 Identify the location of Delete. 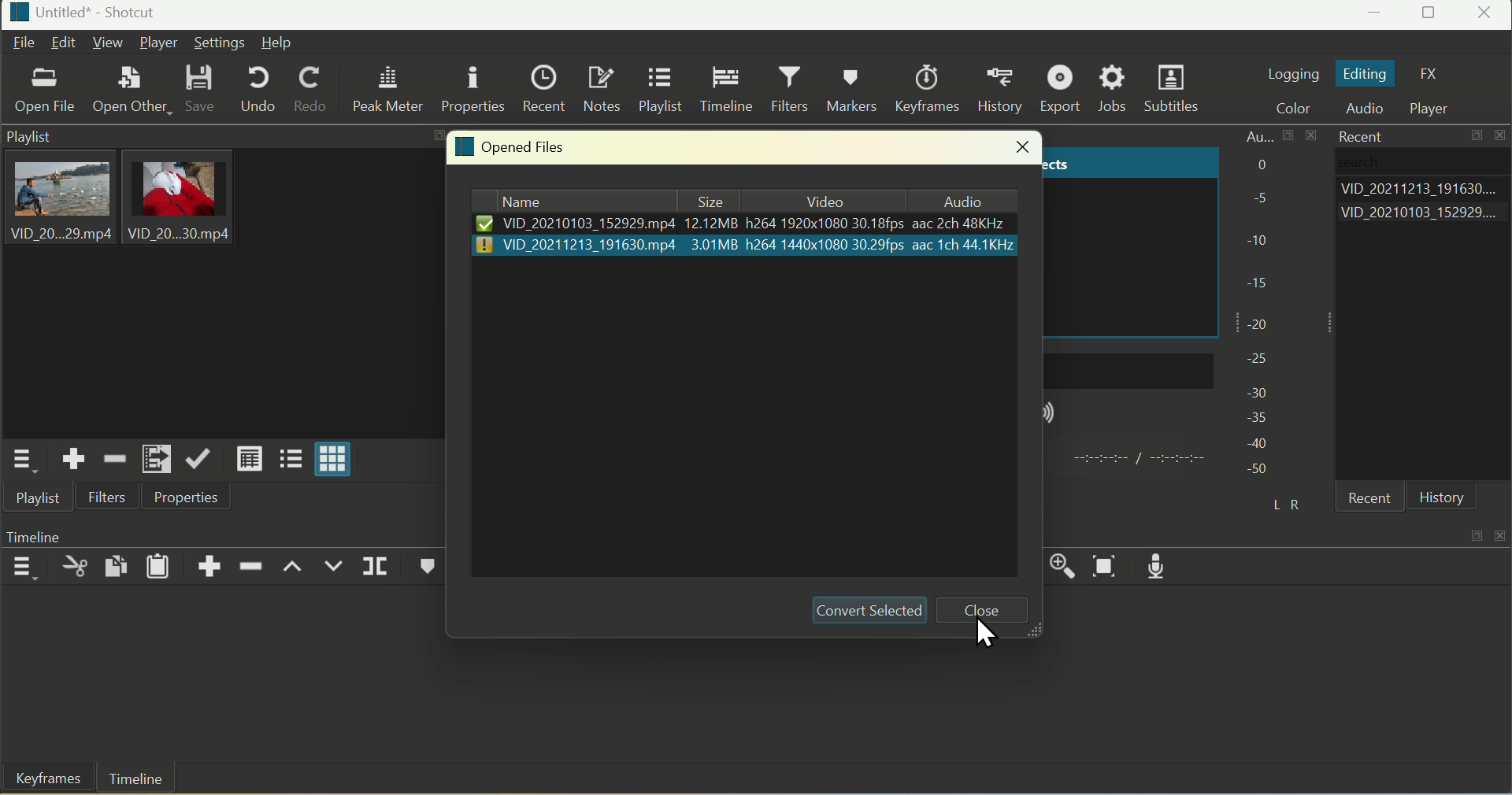
(253, 564).